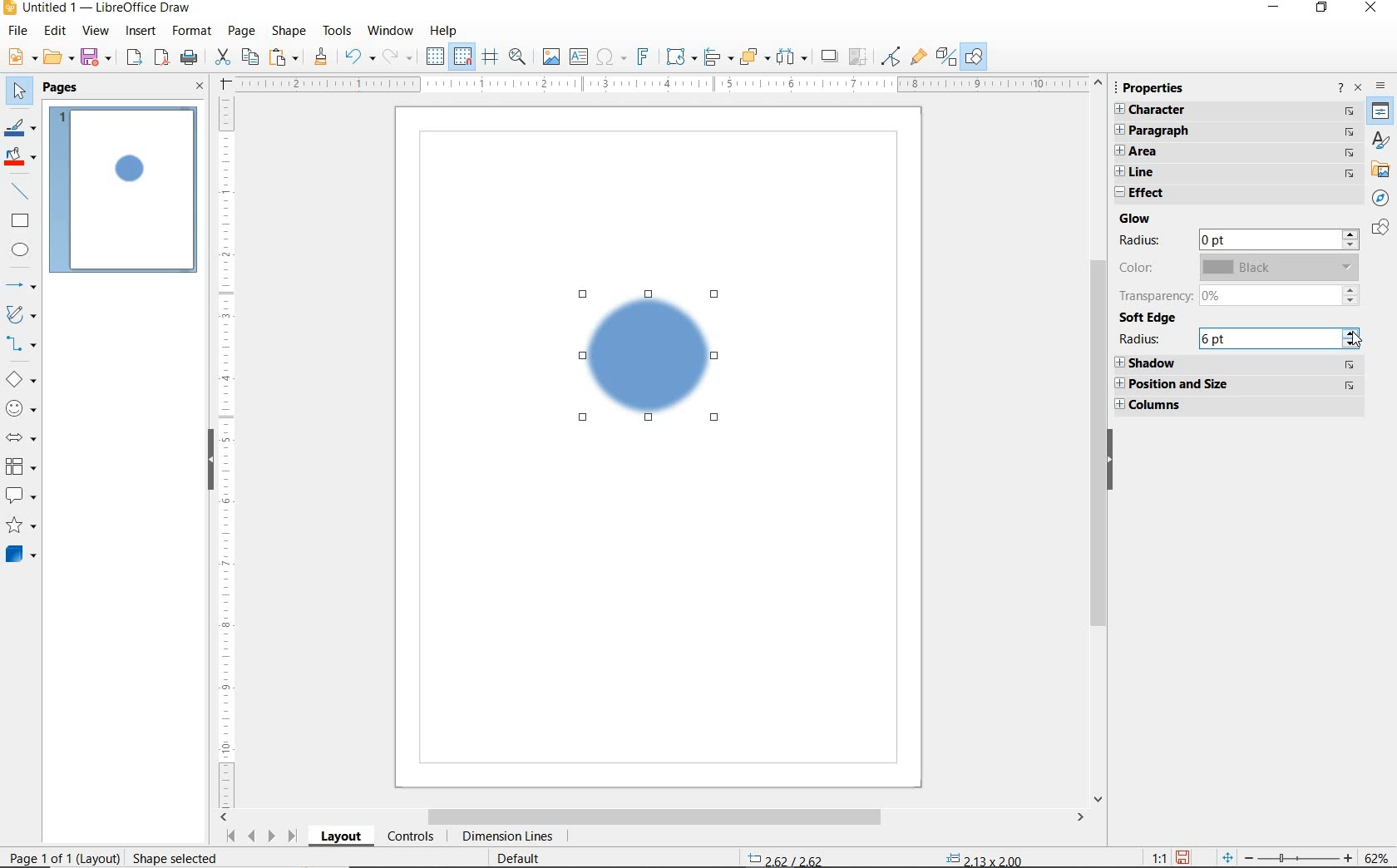  Describe the element at coordinates (1351, 111) in the screenshot. I see `navigate` at that location.